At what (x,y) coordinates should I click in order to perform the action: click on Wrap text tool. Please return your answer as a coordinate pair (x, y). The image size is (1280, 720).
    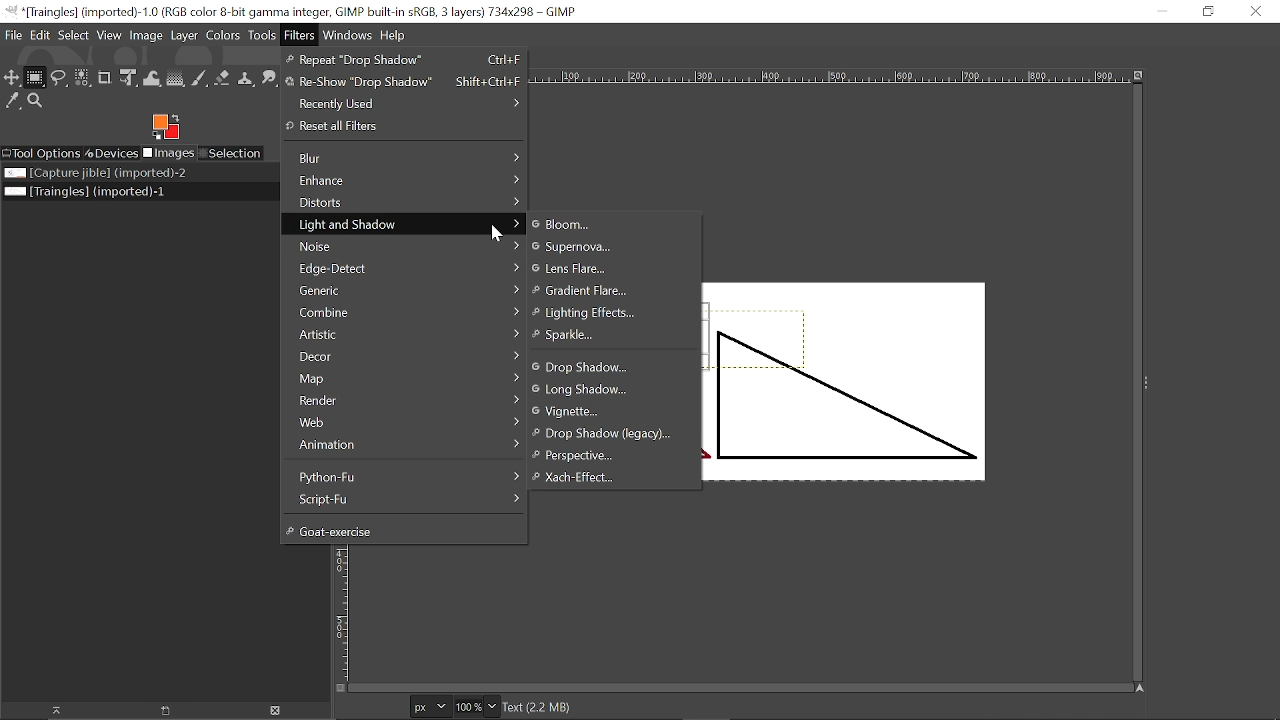
    Looking at the image, I should click on (152, 78).